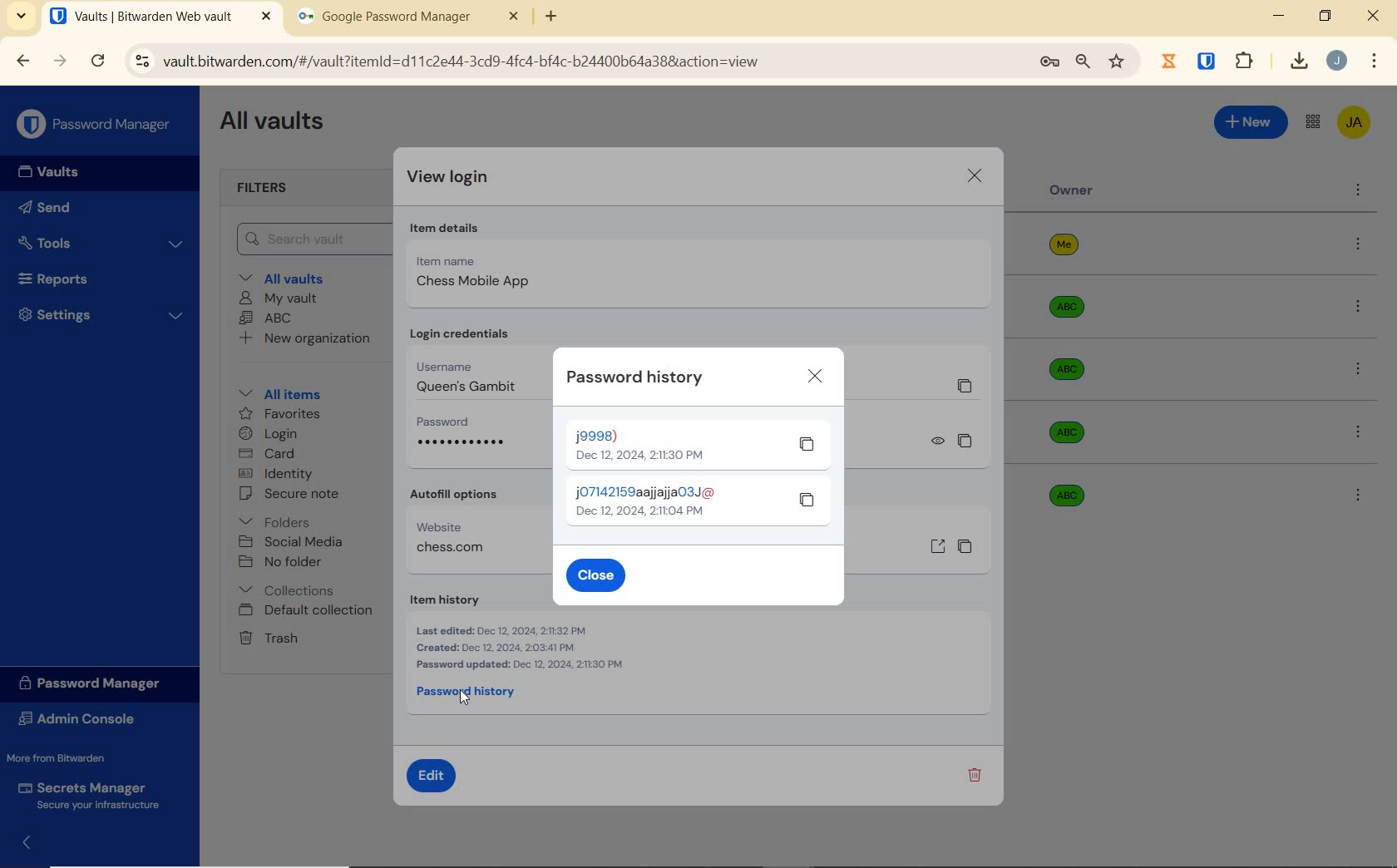  I want to click on abc, so click(1069, 303).